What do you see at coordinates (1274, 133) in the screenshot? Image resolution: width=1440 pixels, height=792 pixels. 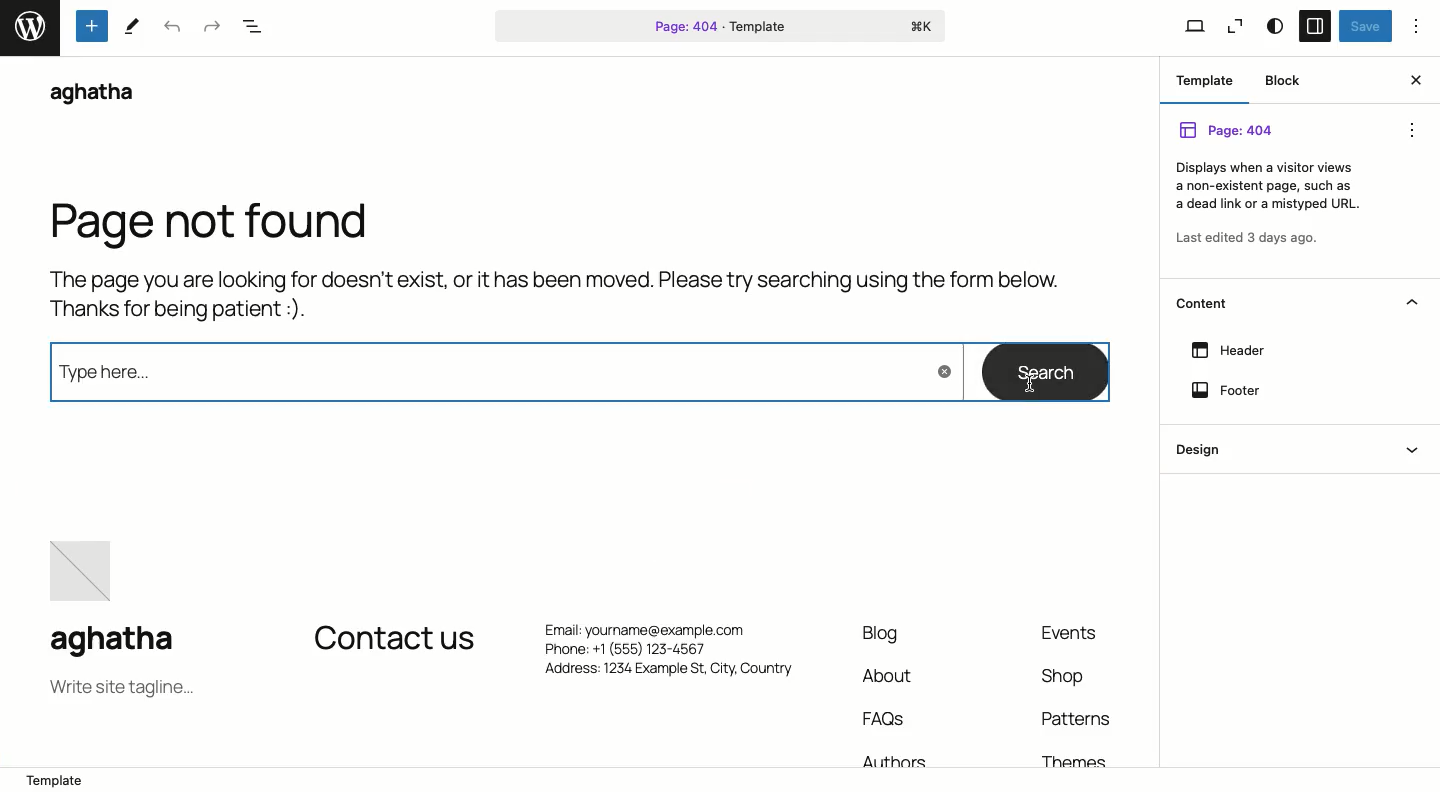 I see `Page 404` at bounding box center [1274, 133].